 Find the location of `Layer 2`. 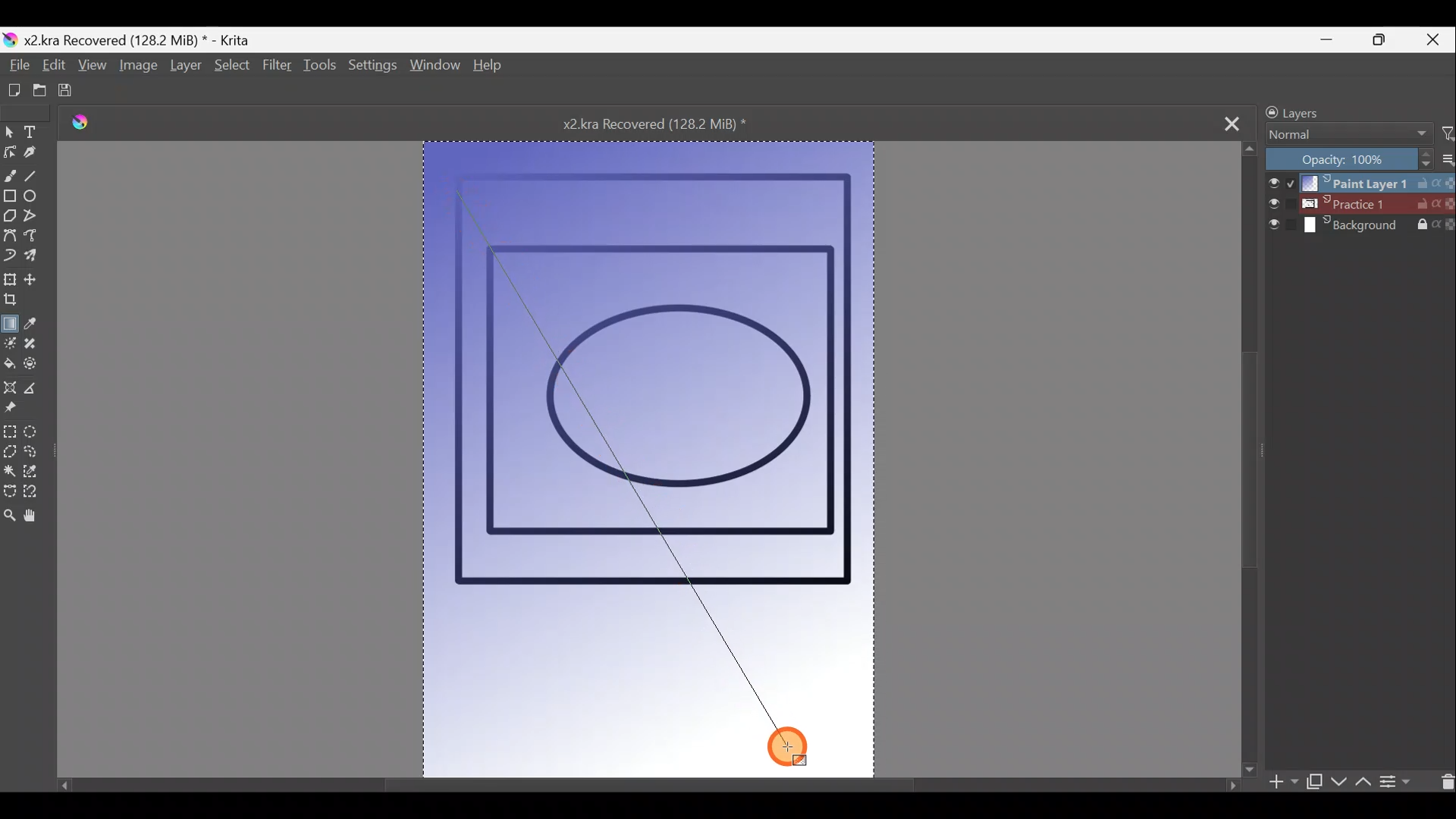

Layer 2 is located at coordinates (1360, 204).